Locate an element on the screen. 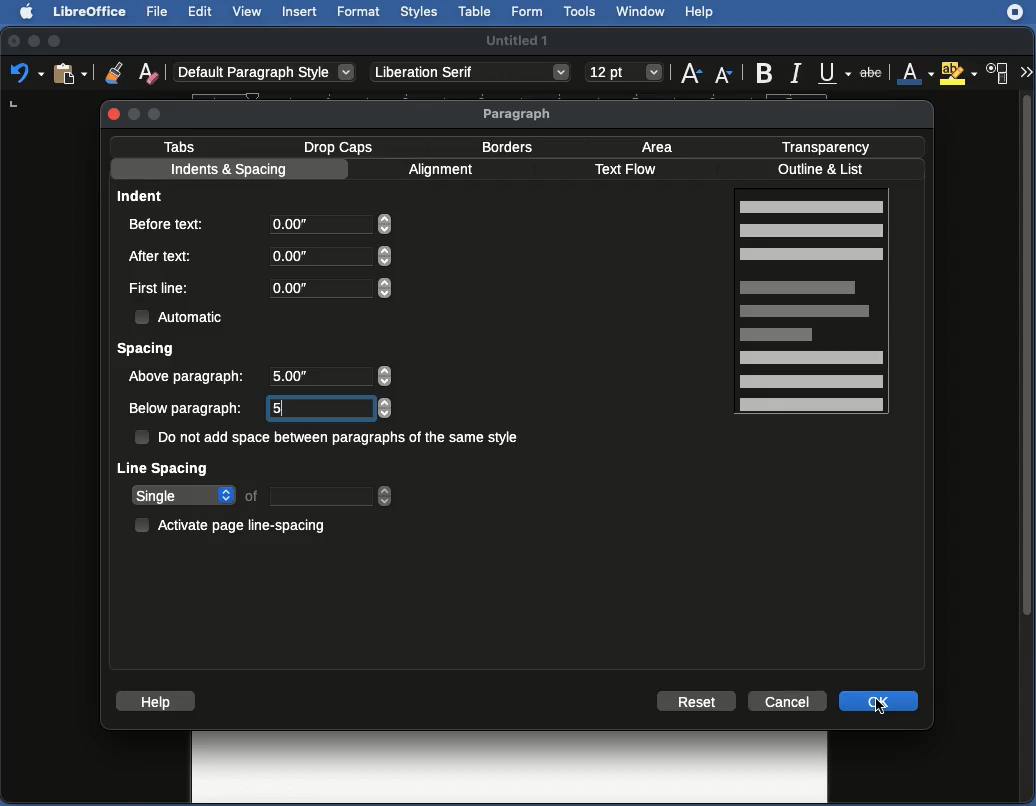  Font color is located at coordinates (914, 74).